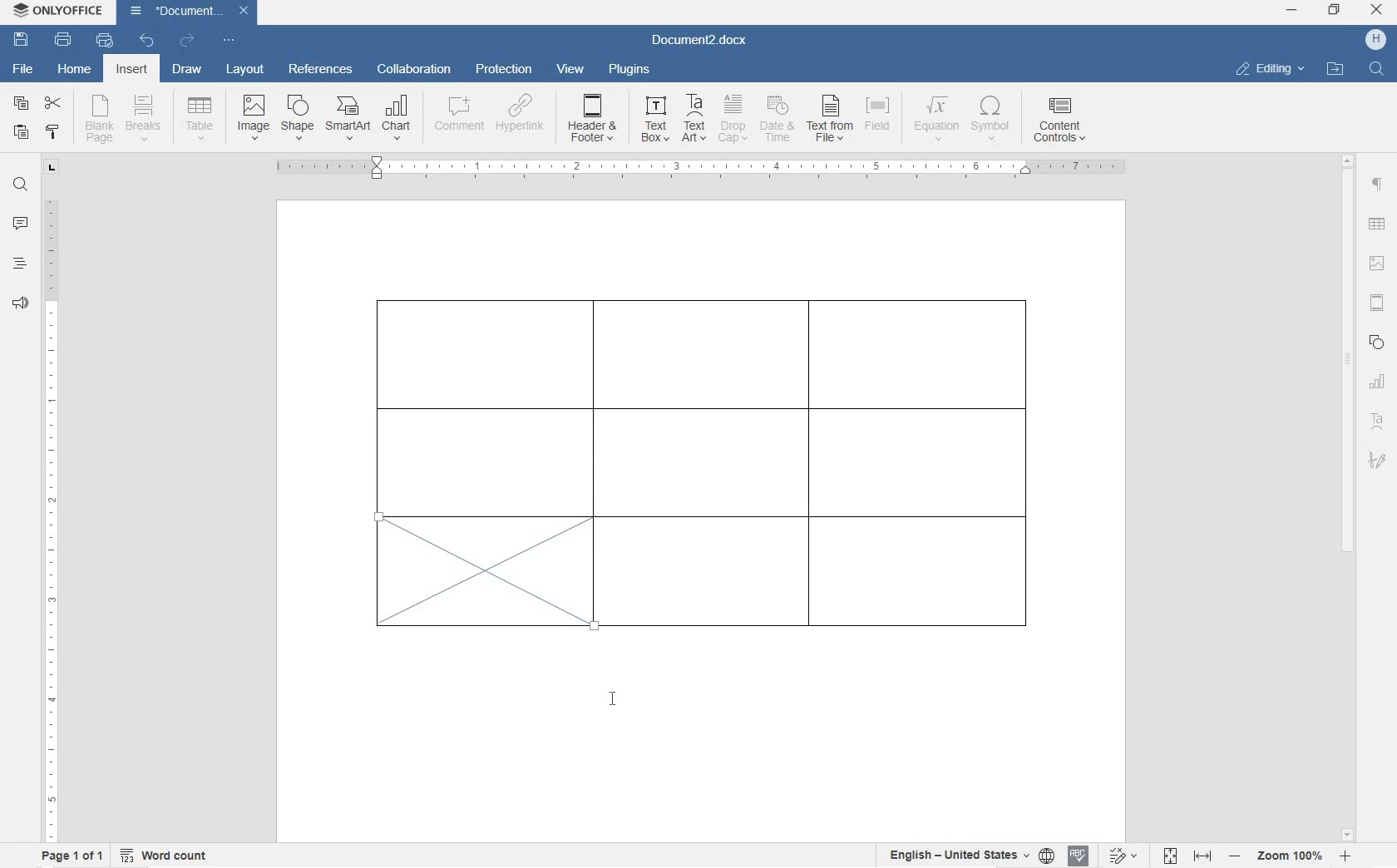 This screenshot has width=1397, height=868. I want to click on cut, so click(52, 104).